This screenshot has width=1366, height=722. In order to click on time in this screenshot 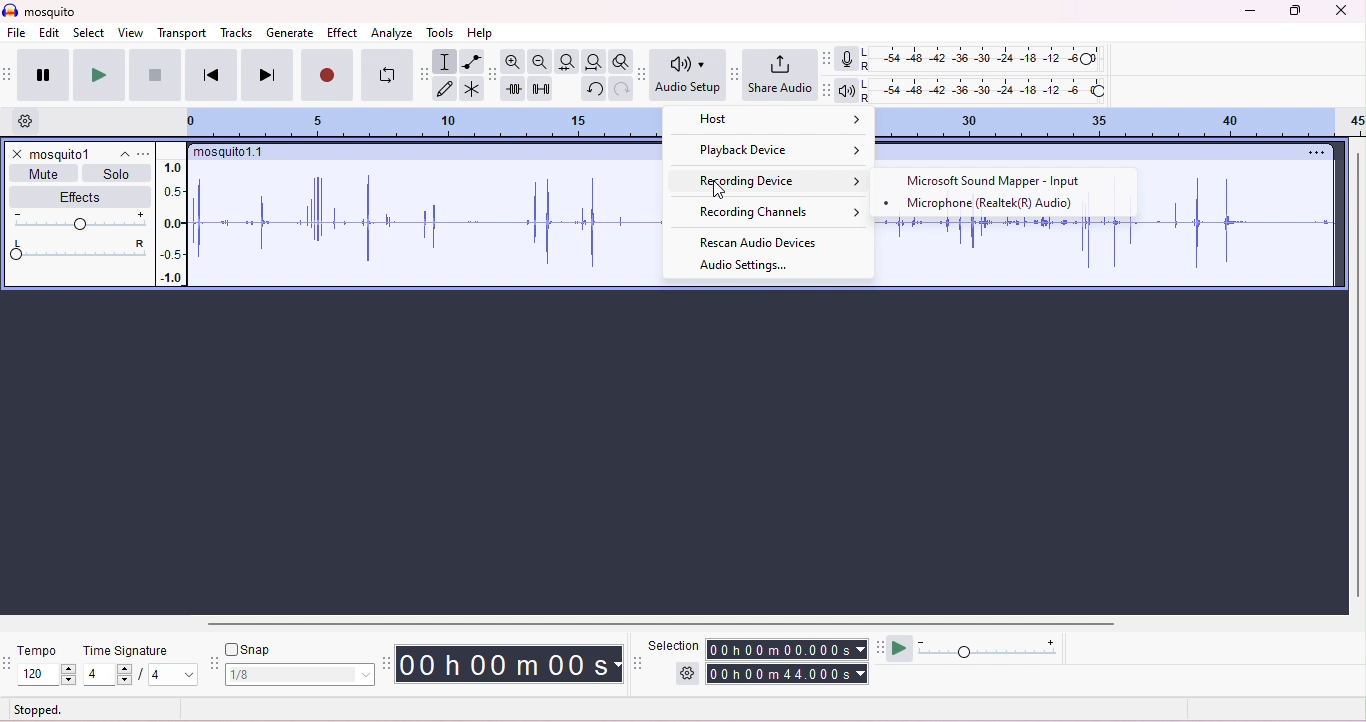, I will do `click(508, 664)`.